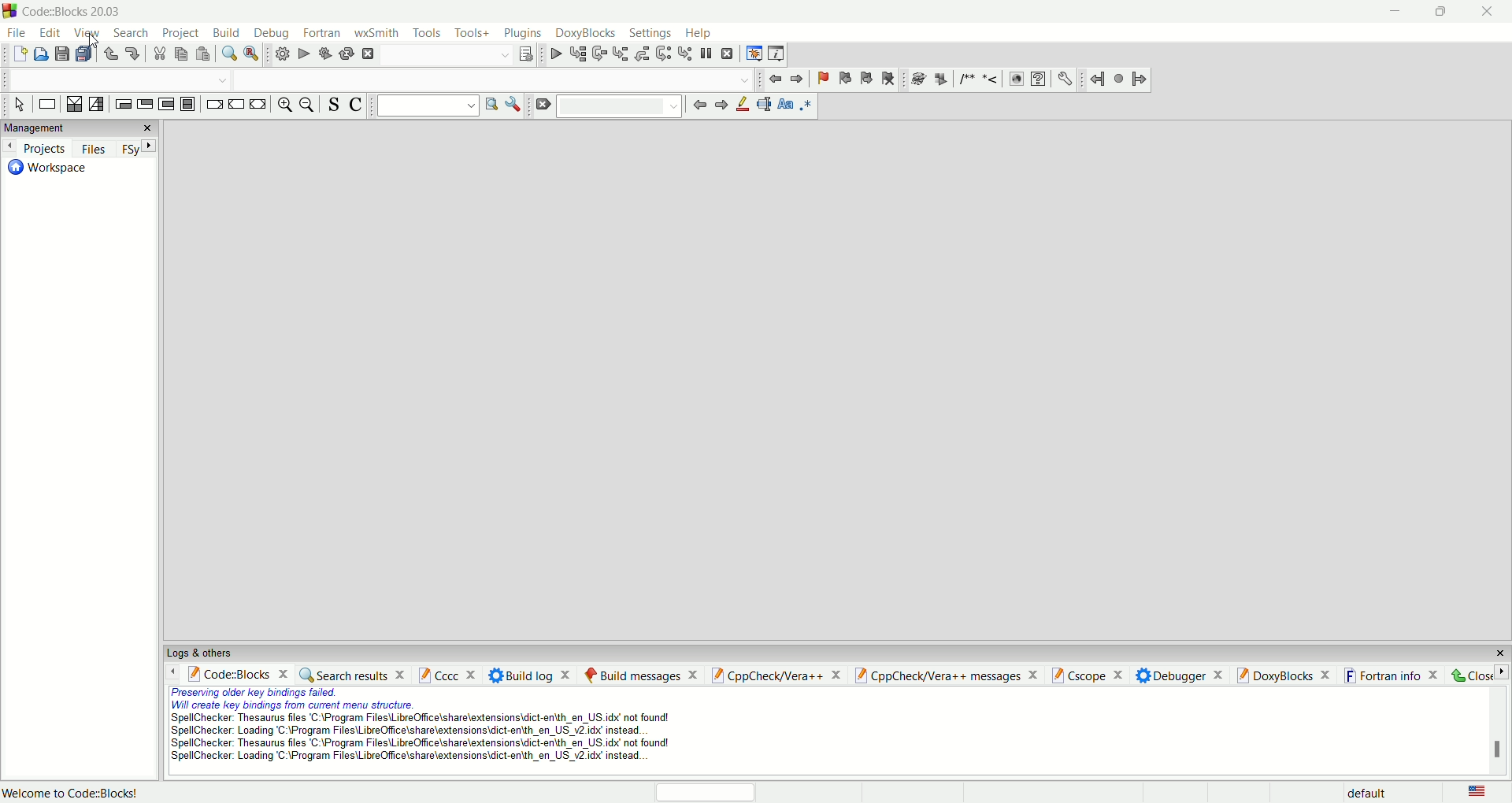  I want to click on close, so click(1500, 653).